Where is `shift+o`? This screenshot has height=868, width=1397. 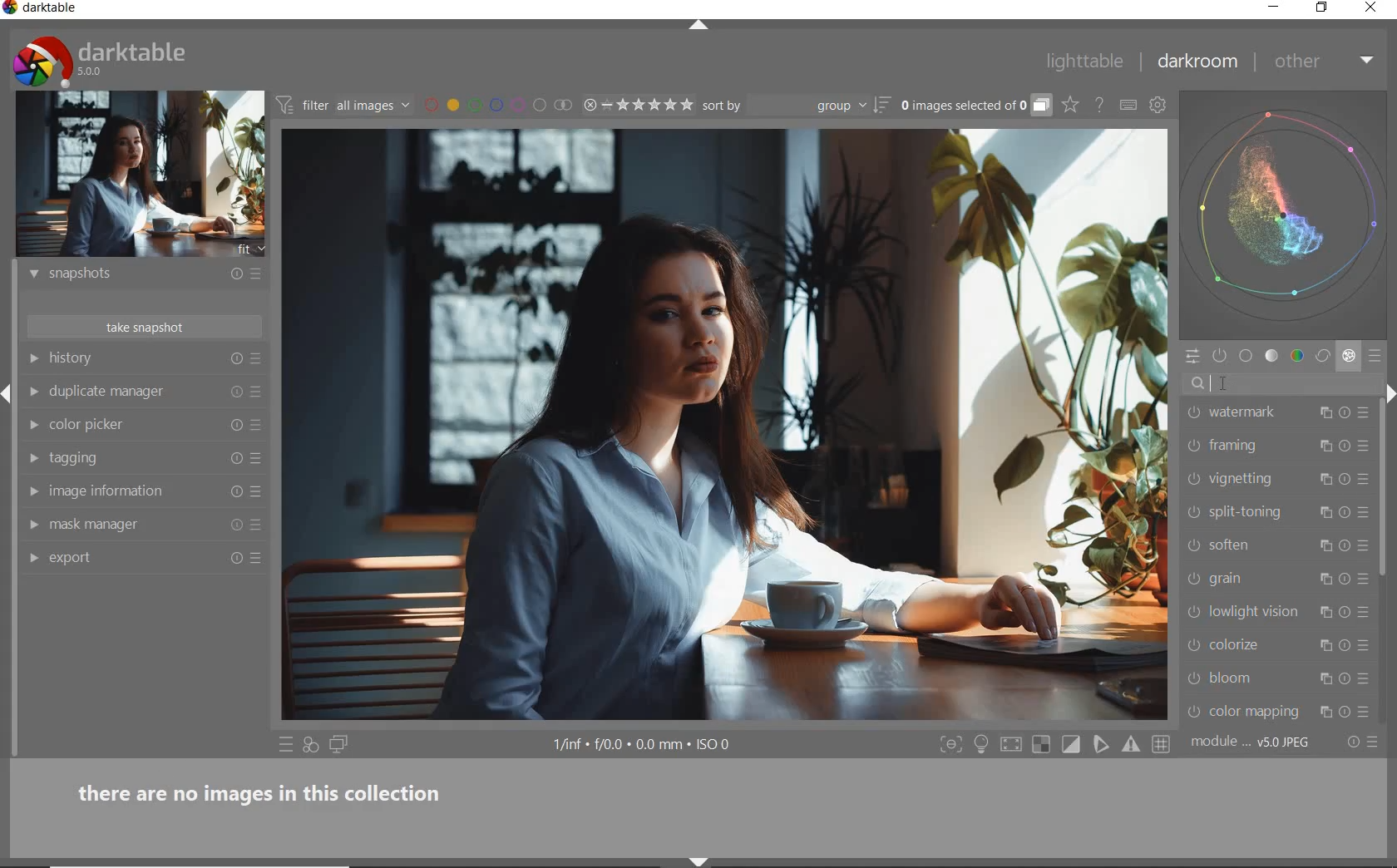
shift+o is located at coordinates (1040, 746).